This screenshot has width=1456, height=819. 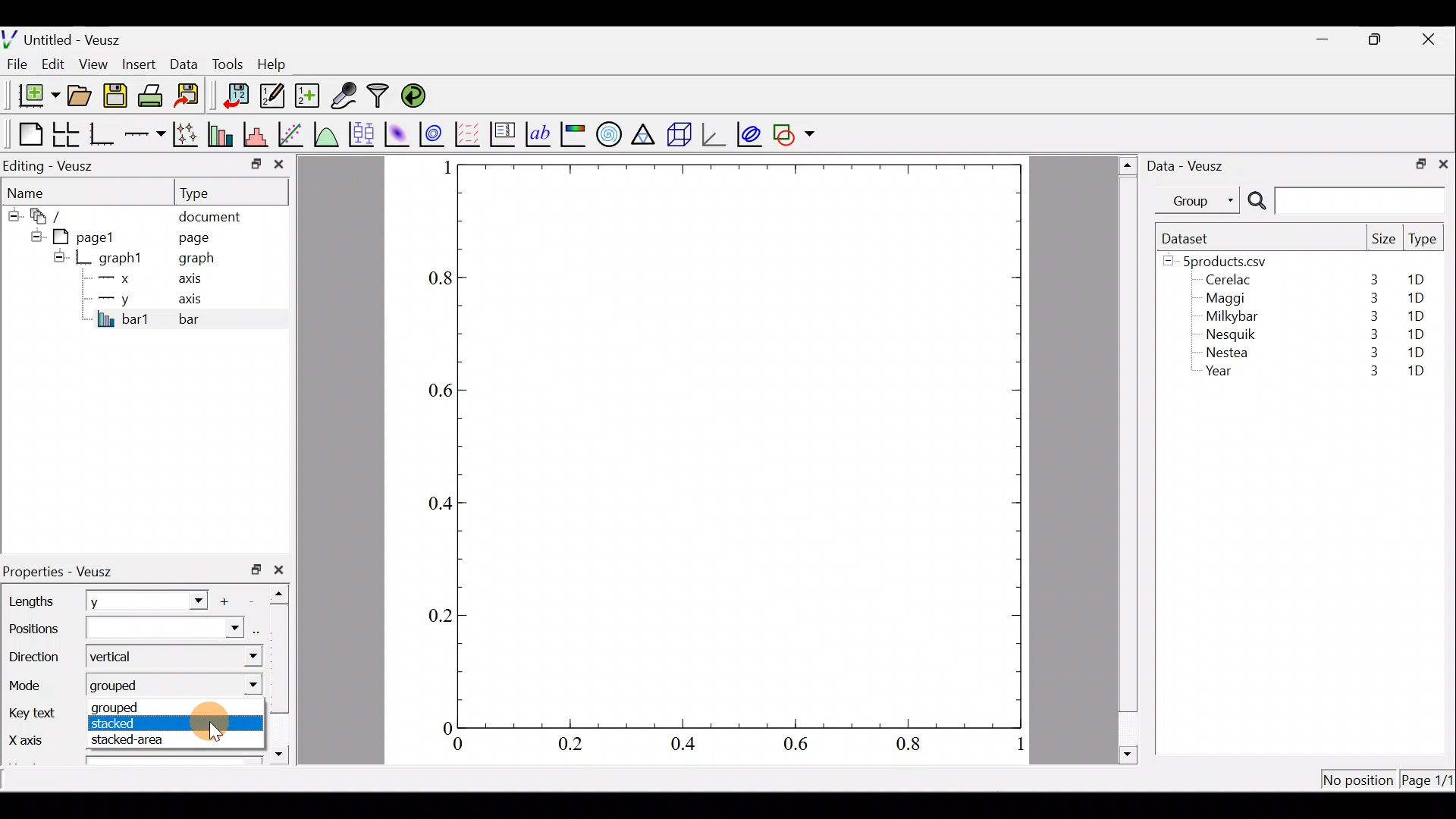 I want to click on minimize, so click(x=1330, y=38).